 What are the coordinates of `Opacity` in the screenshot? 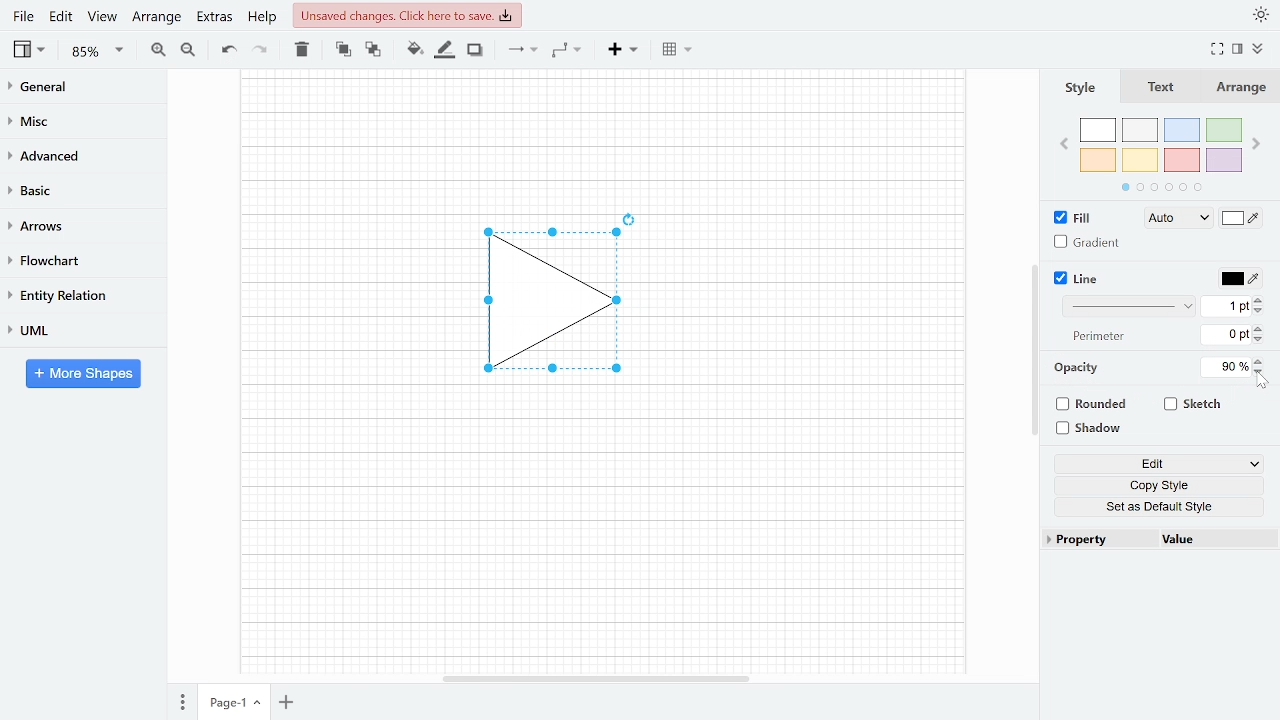 It's located at (1078, 368).